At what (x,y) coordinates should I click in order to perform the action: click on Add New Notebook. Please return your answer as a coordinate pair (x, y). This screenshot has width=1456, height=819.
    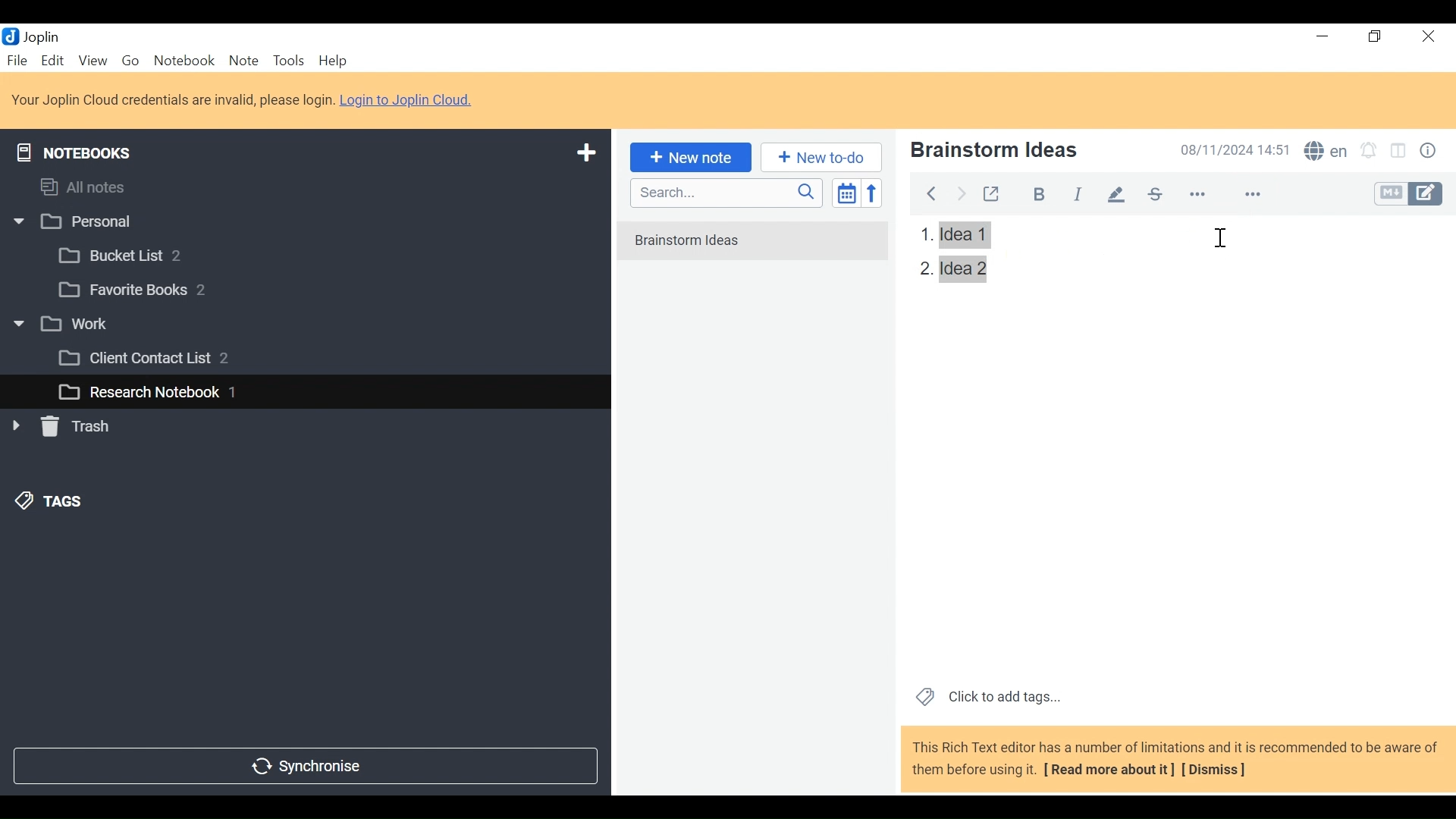
    Looking at the image, I should click on (585, 153).